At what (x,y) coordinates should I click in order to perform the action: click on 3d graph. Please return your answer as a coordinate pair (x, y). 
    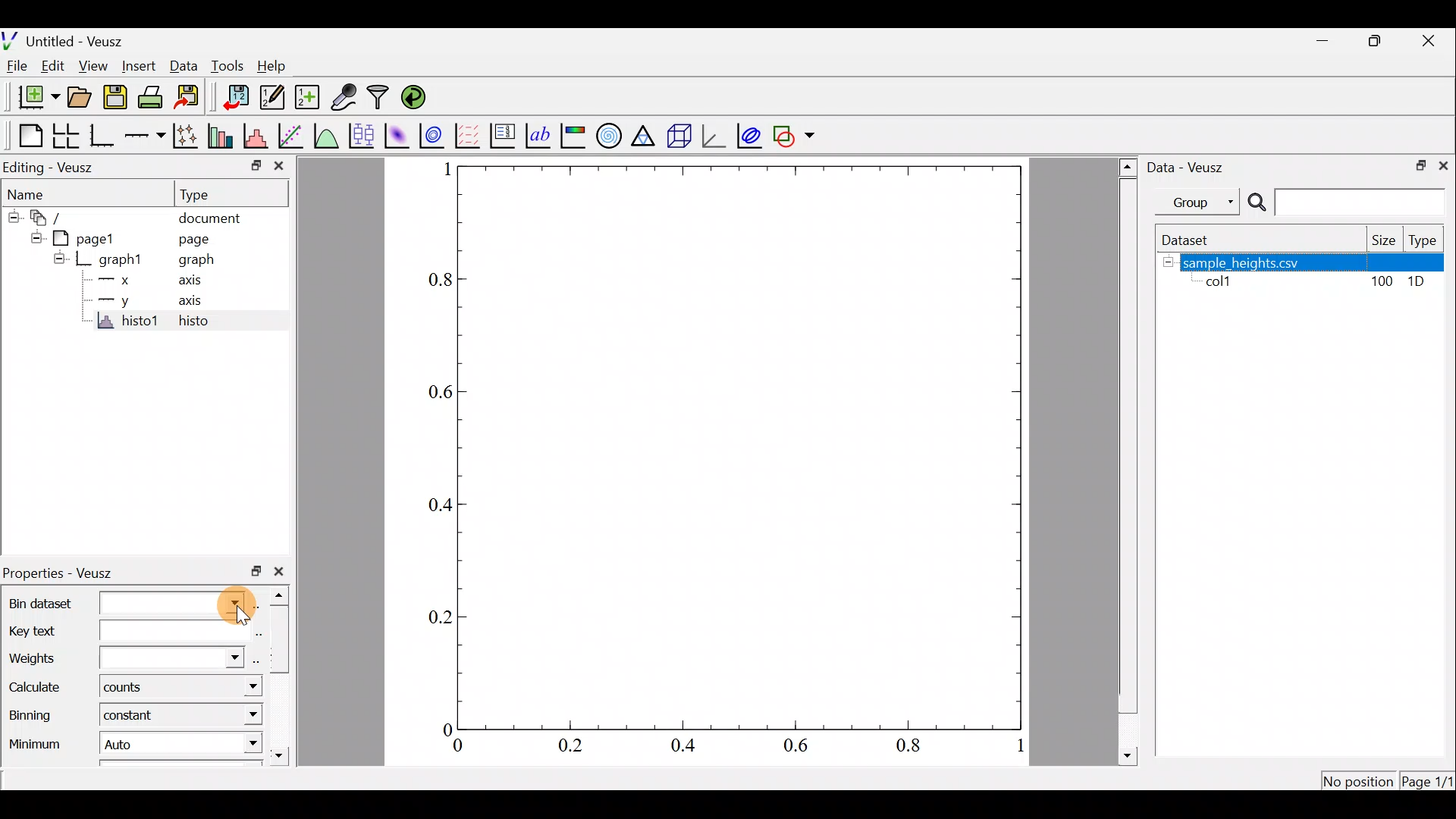
    Looking at the image, I should click on (715, 136).